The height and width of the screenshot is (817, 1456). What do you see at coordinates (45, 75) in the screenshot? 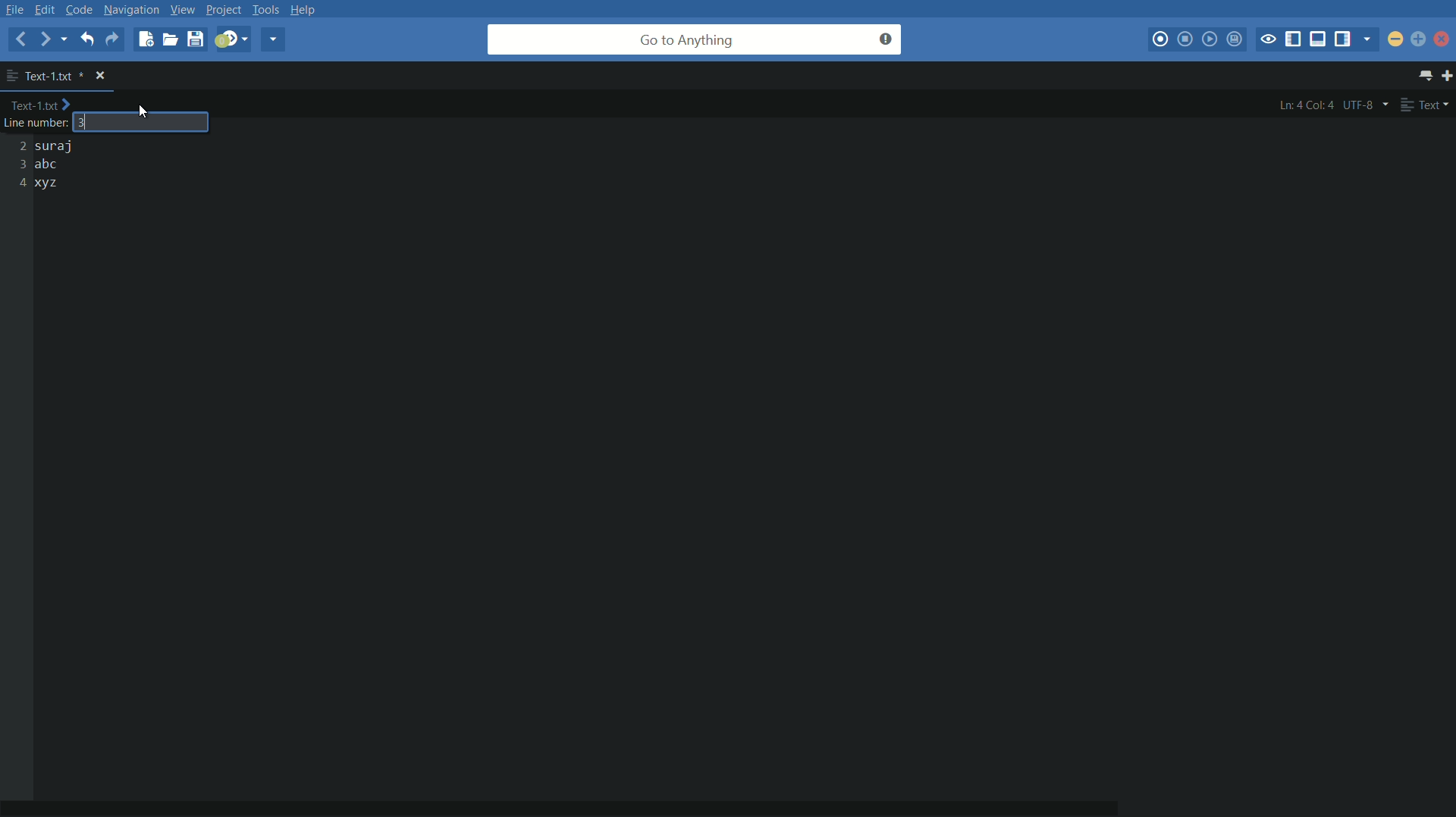
I see `file name` at bounding box center [45, 75].